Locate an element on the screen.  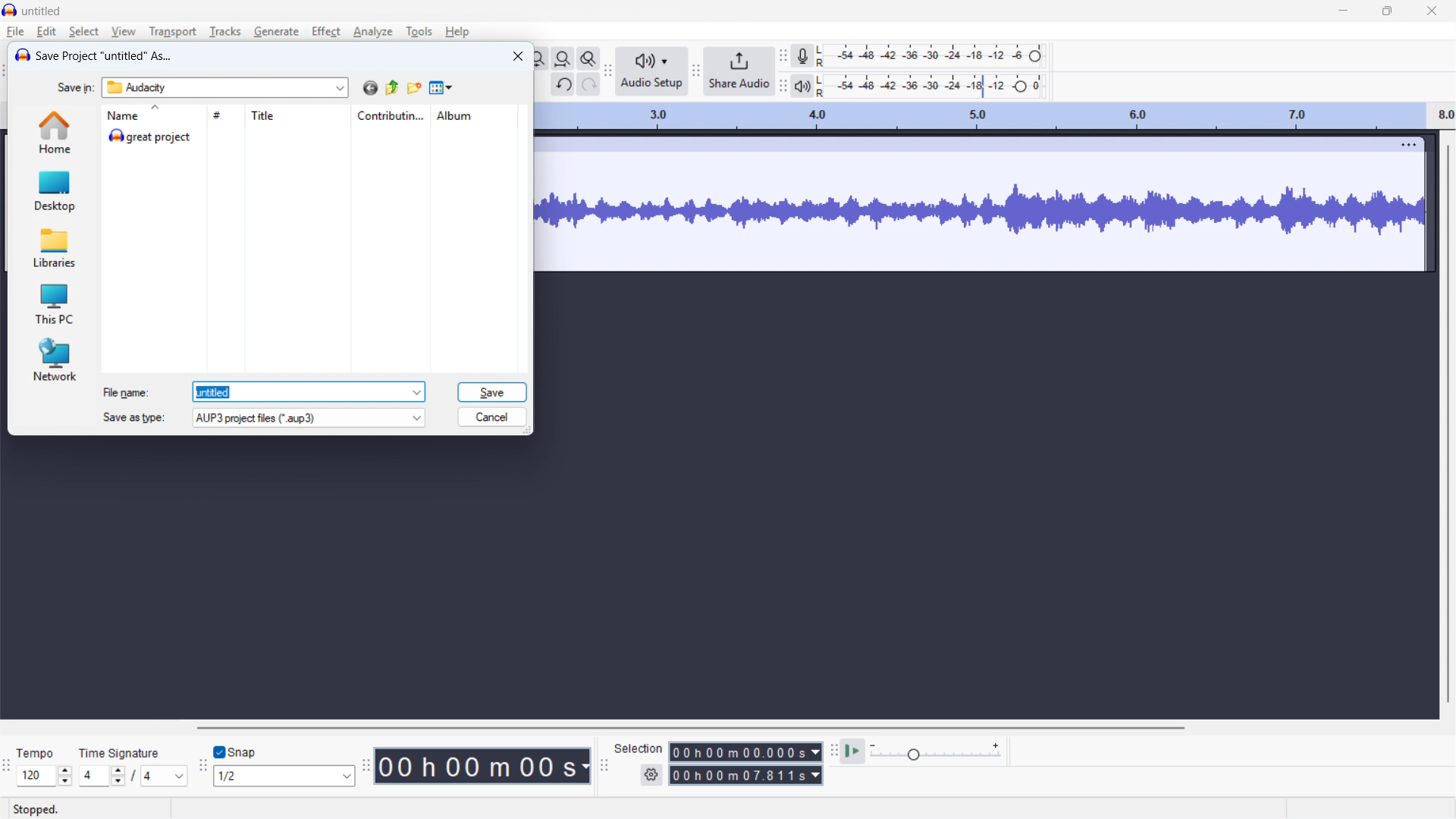
help is located at coordinates (457, 32).